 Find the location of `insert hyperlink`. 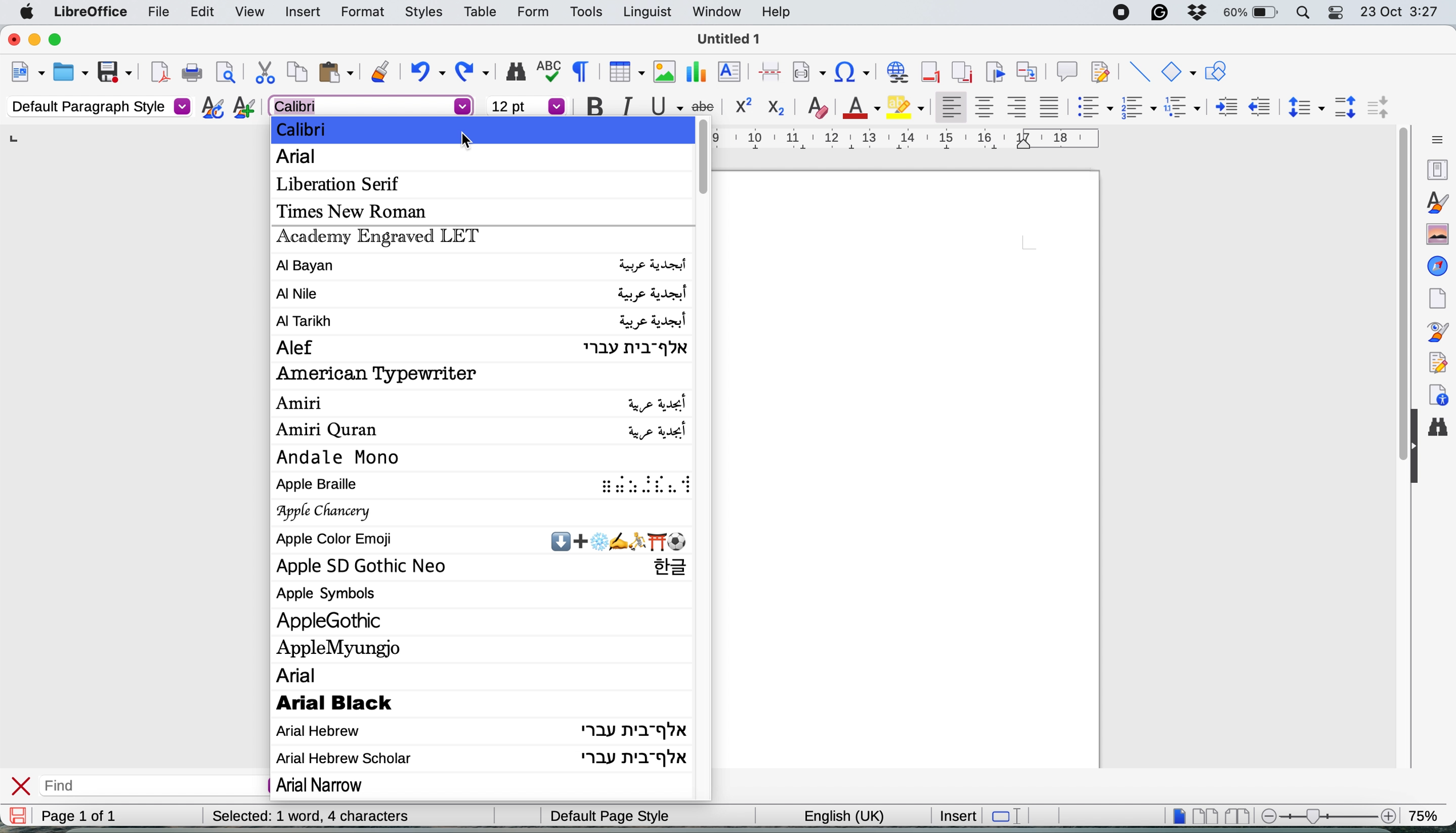

insert hyperlink is located at coordinates (853, 72).